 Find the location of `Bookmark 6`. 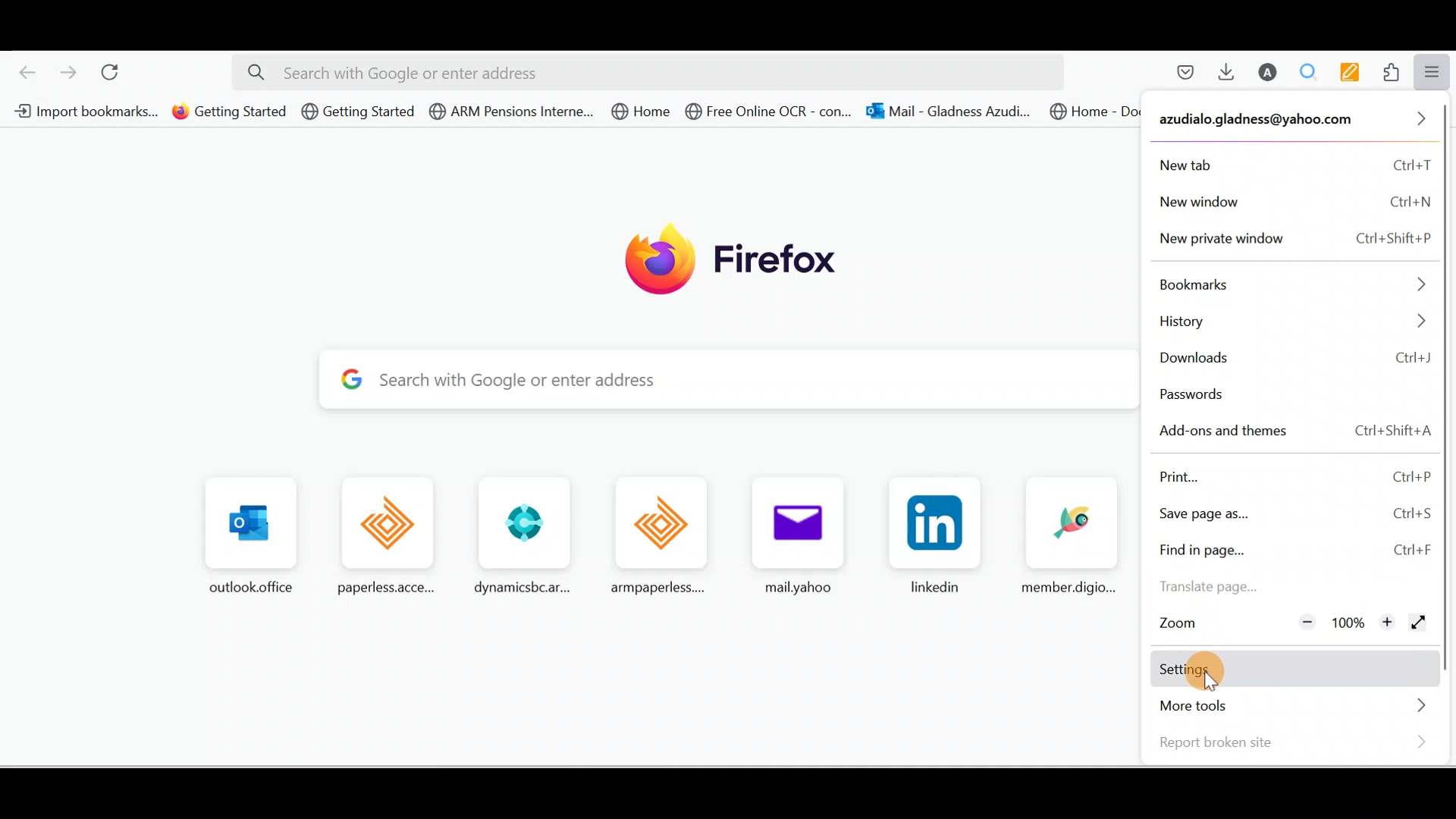

Bookmark 6 is located at coordinates (770, 113).